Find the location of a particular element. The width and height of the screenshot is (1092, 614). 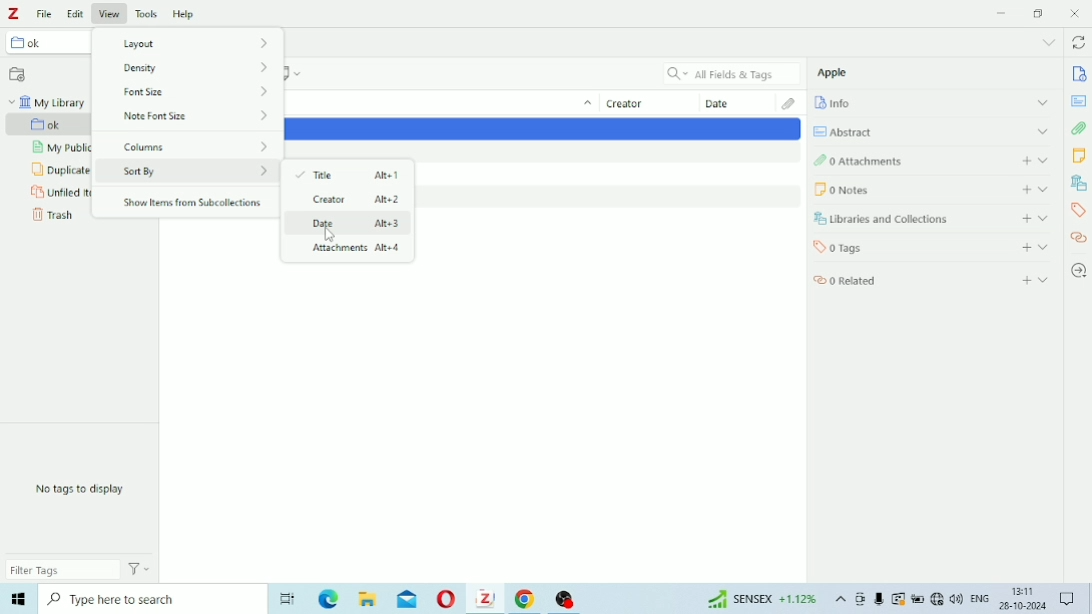

Attachments is located at coordinates (890, 162).